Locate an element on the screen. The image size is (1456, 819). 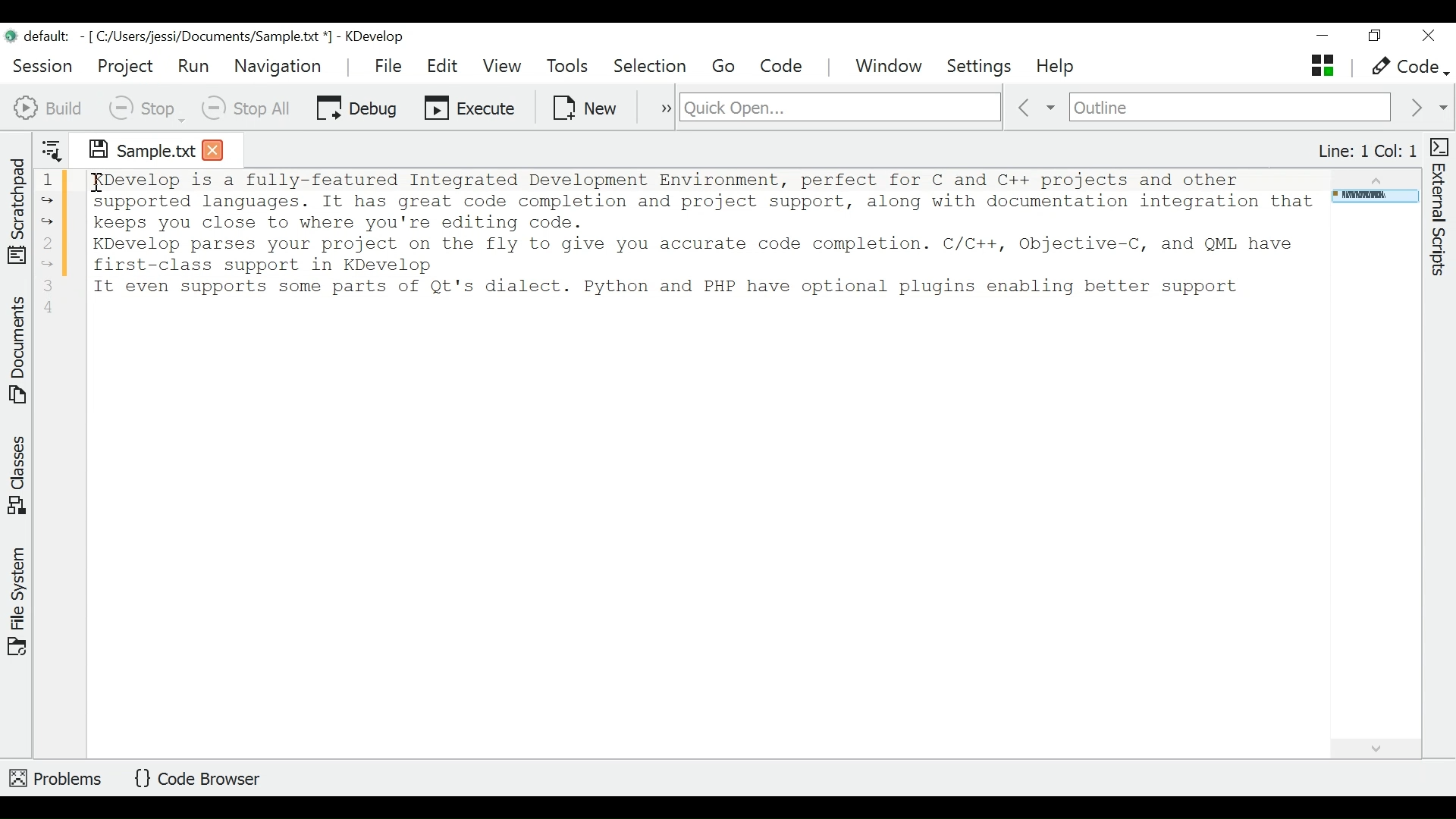
Page Overview is located at coordinates (1373, 198).